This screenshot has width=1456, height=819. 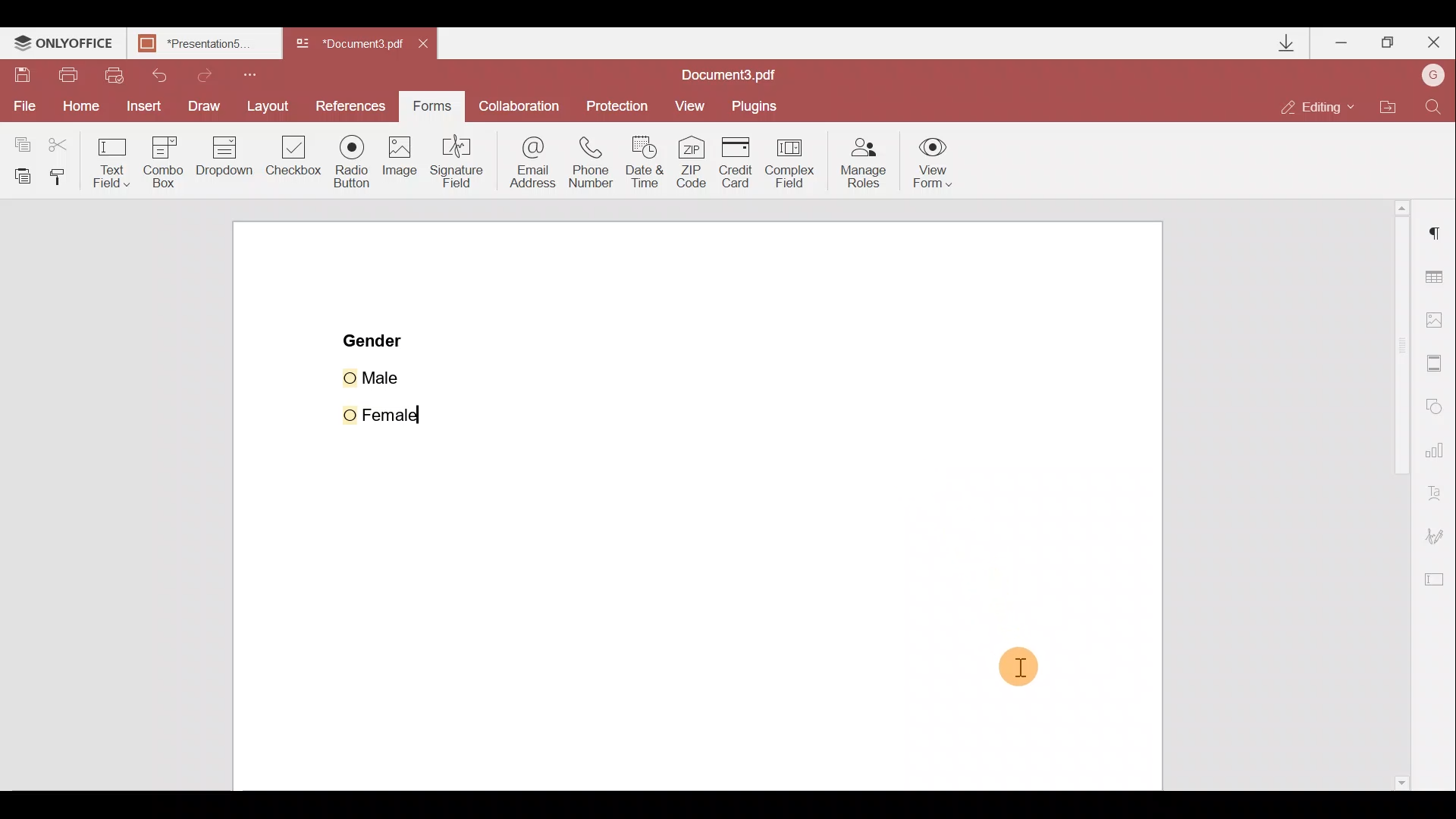 What do you see at coordinates (1442, 536) in the screenshot?
I see `Signature settings` at bounding box center [1442, 536].